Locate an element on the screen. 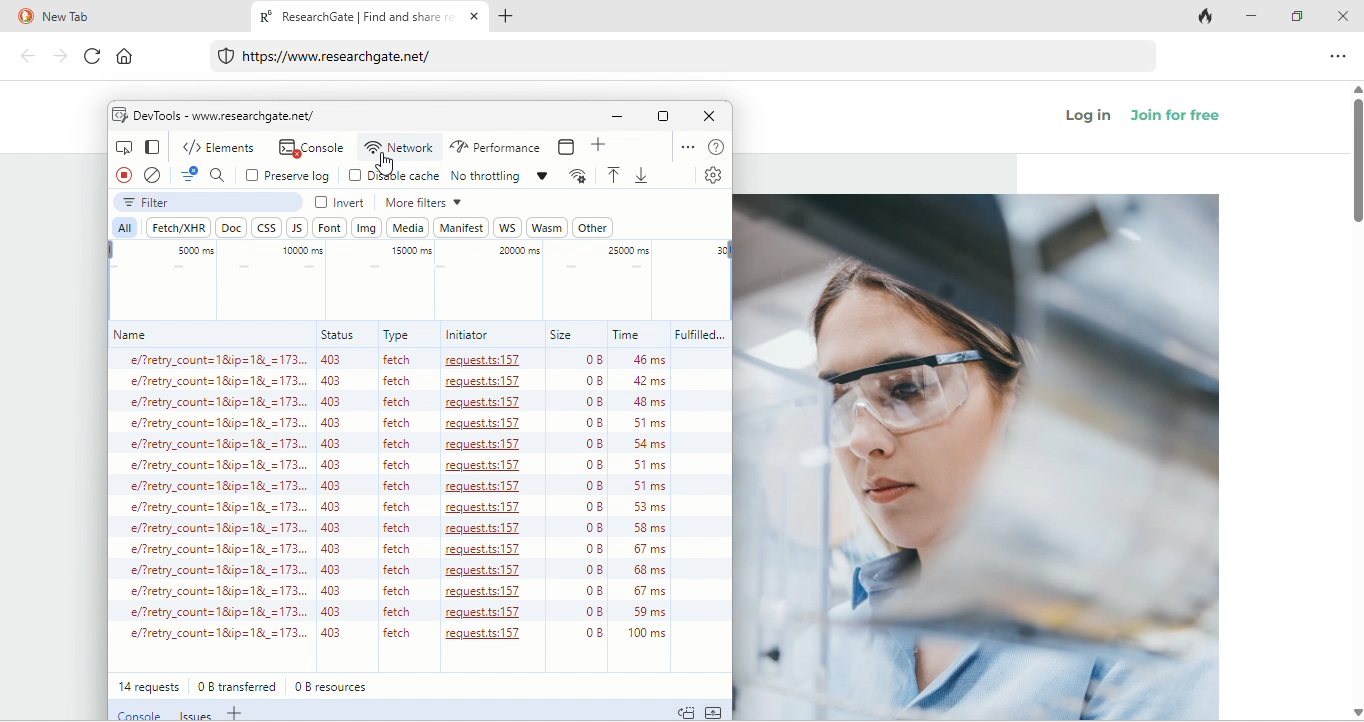 Image resolution: width=1364 pixels, height=722 pixels. settings is located at coordinates (710, 175).